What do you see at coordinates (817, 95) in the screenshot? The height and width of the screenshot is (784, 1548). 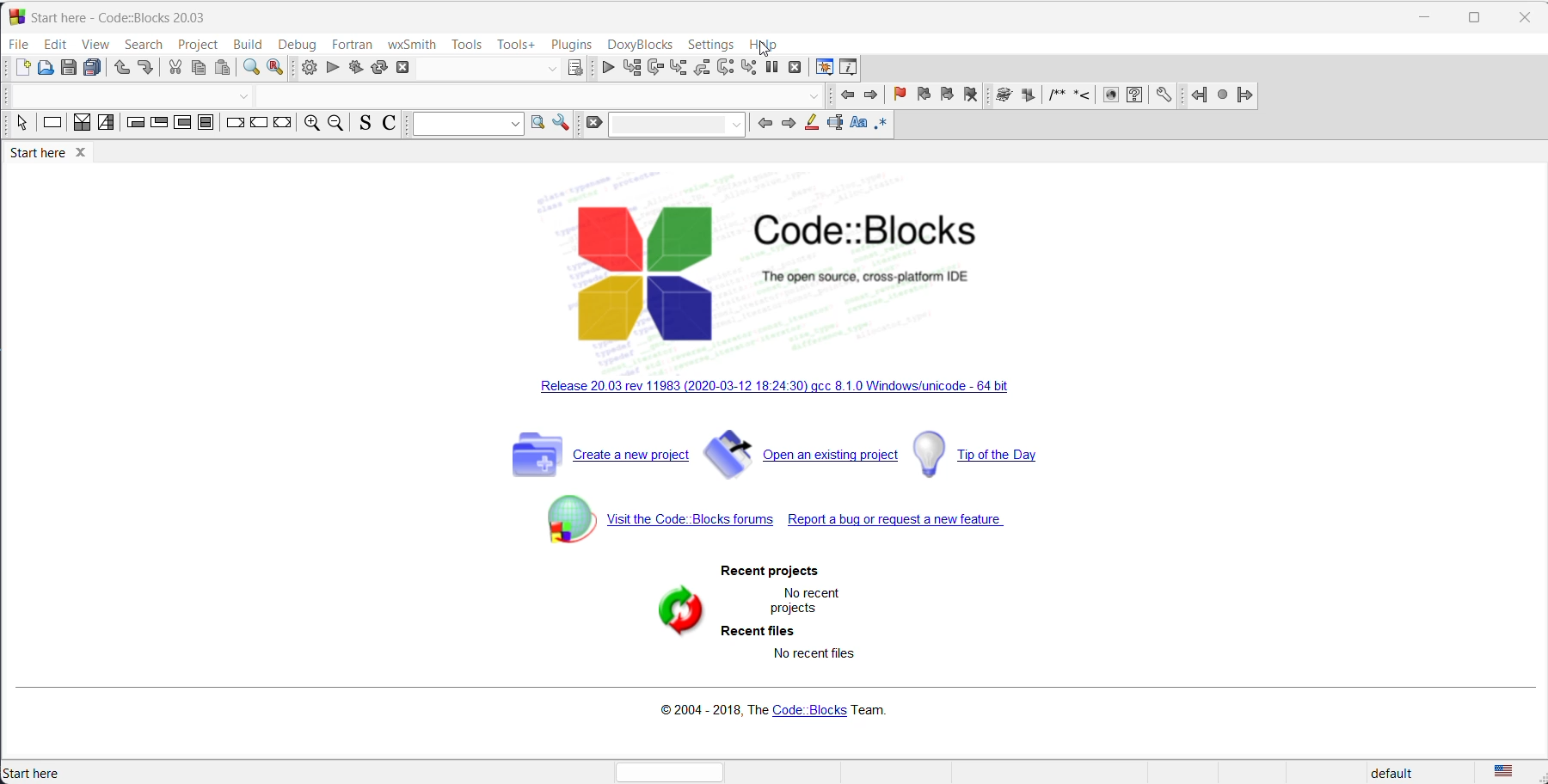 I see `dropdown` at bounding box center [817, 95].